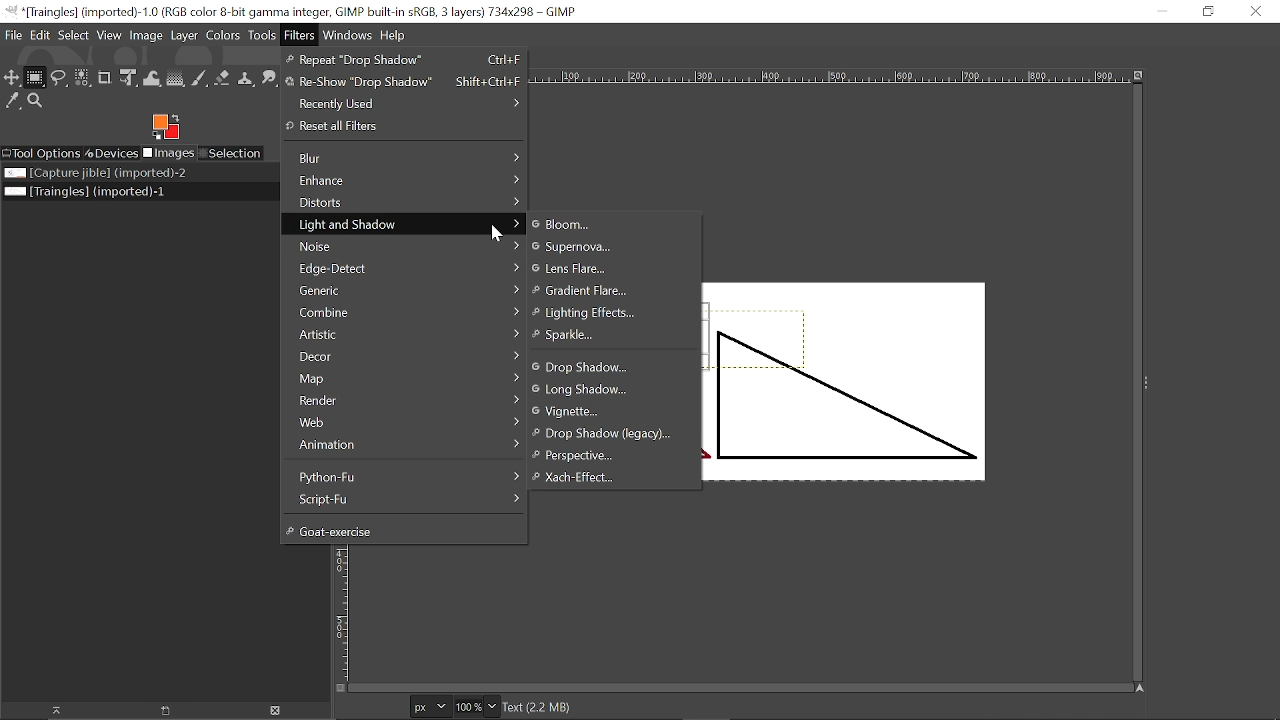  What do you see at coordinates (408, 180) in the screenshot?
I see `Enhance` at bounding box center [408, 180].